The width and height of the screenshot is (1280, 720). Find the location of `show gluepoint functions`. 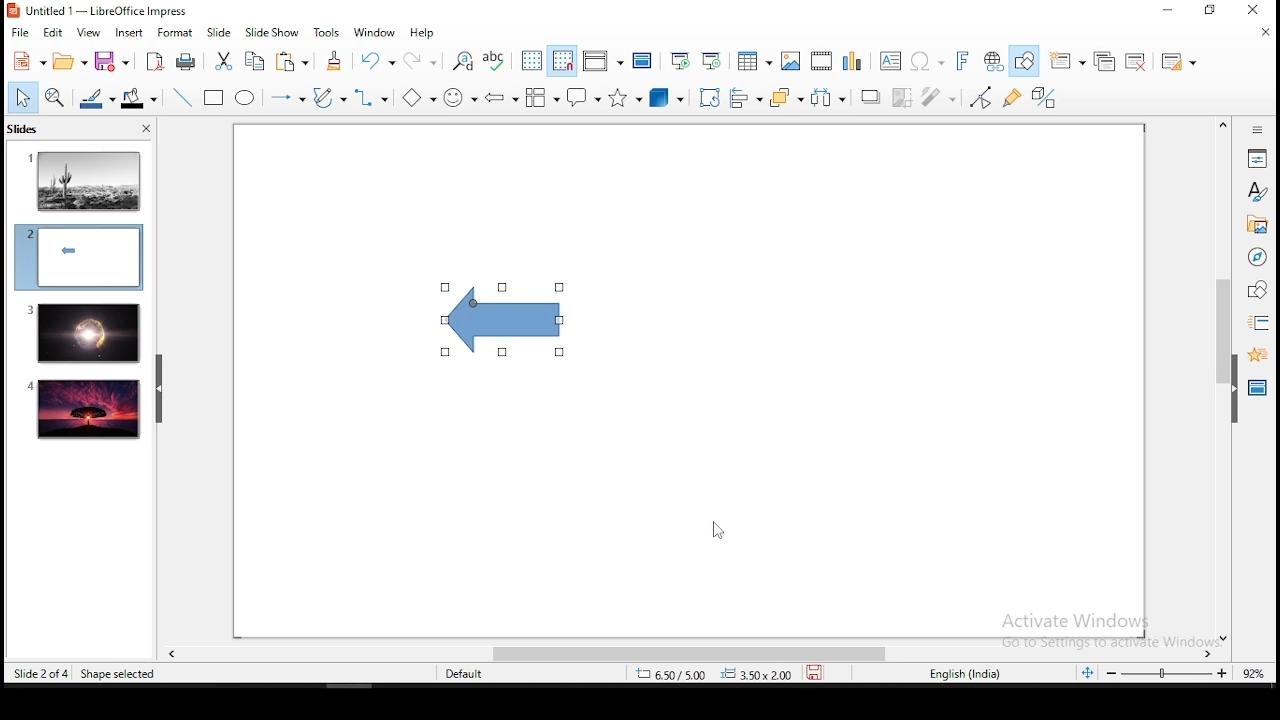

show gluepoint functions is located at coordinates (1017, 97).